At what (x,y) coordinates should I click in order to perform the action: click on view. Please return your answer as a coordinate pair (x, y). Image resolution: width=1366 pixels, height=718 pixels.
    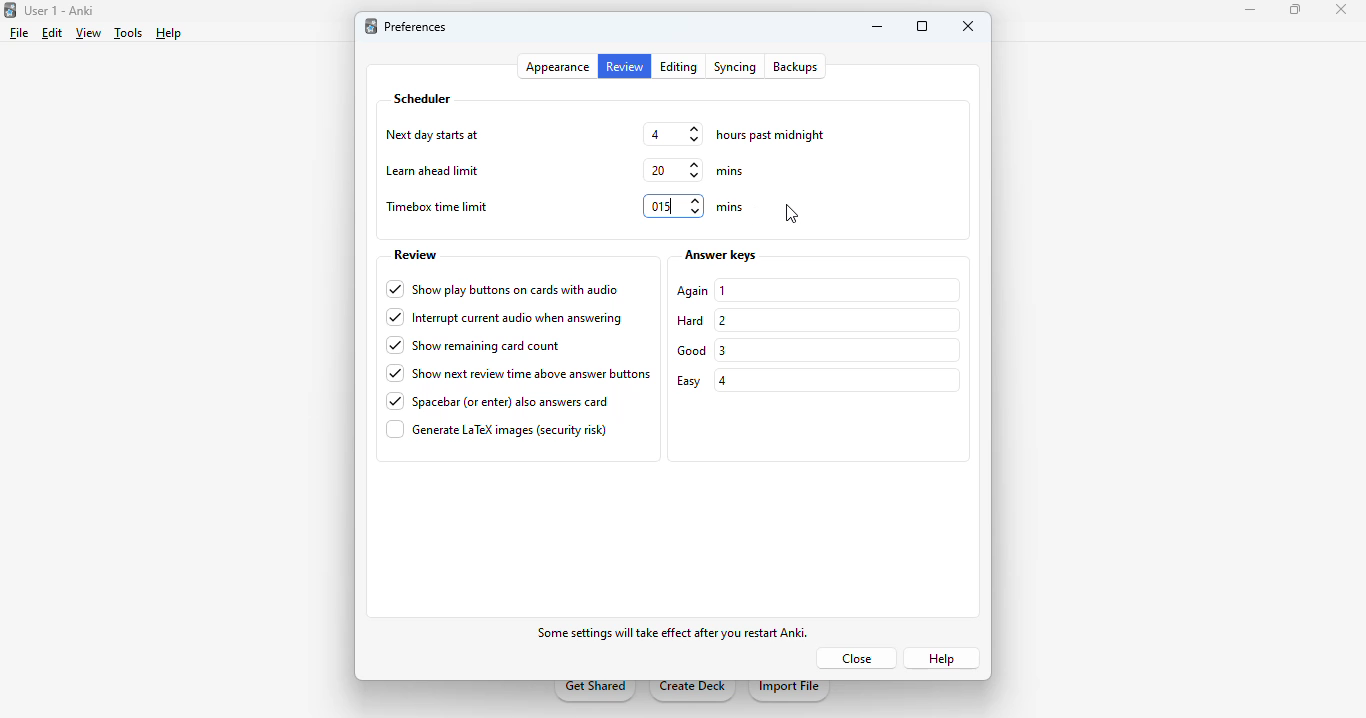
    Looking at the image, I should click on (88, 34).